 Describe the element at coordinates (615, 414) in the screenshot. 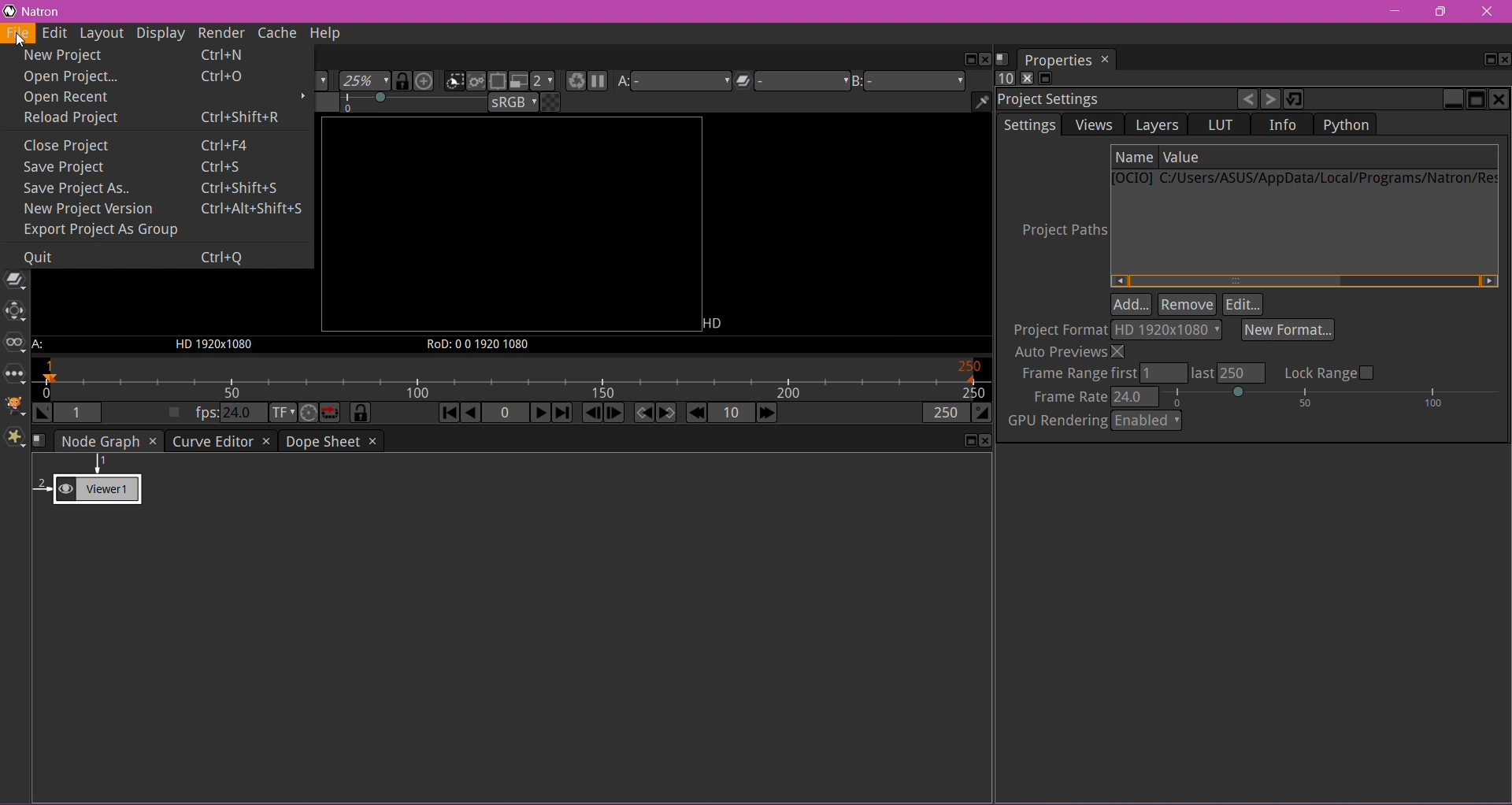

I see `Next Frame` at that location.